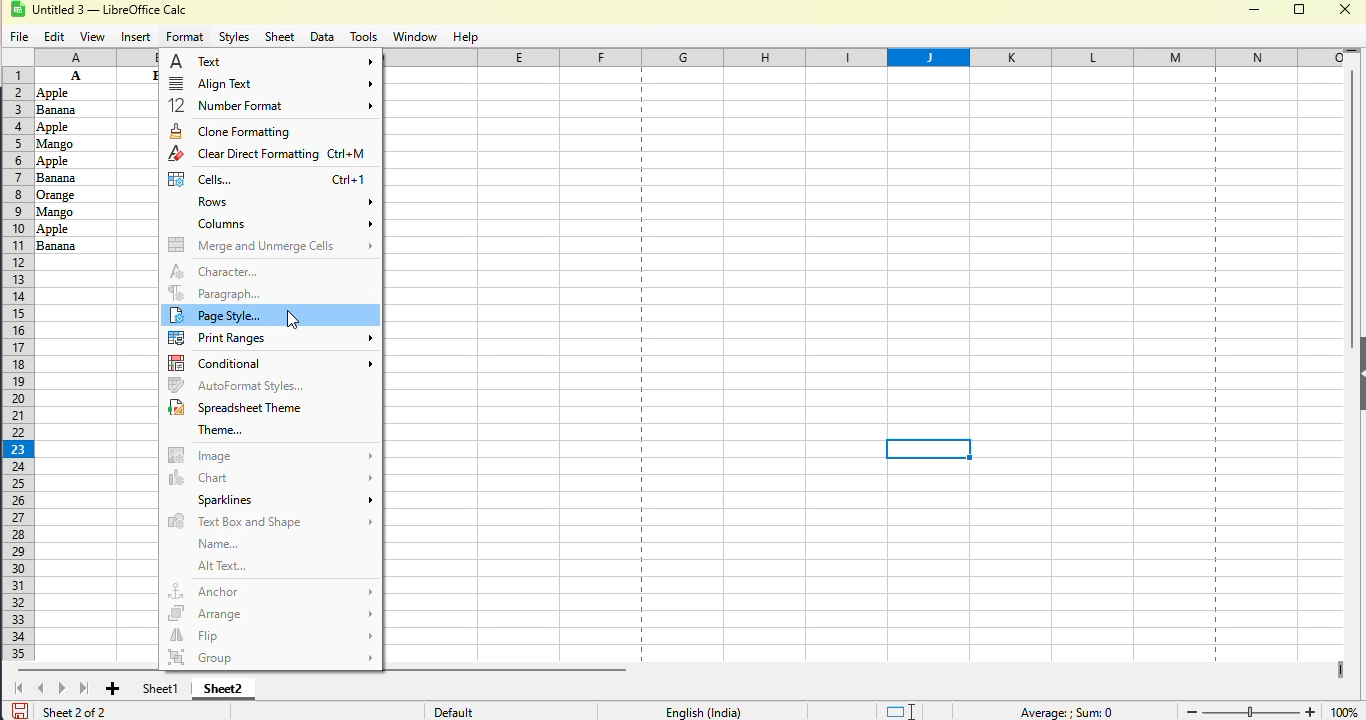 This screenshot has height=720, width=1366. I want to click on tools, so click(363, 37).